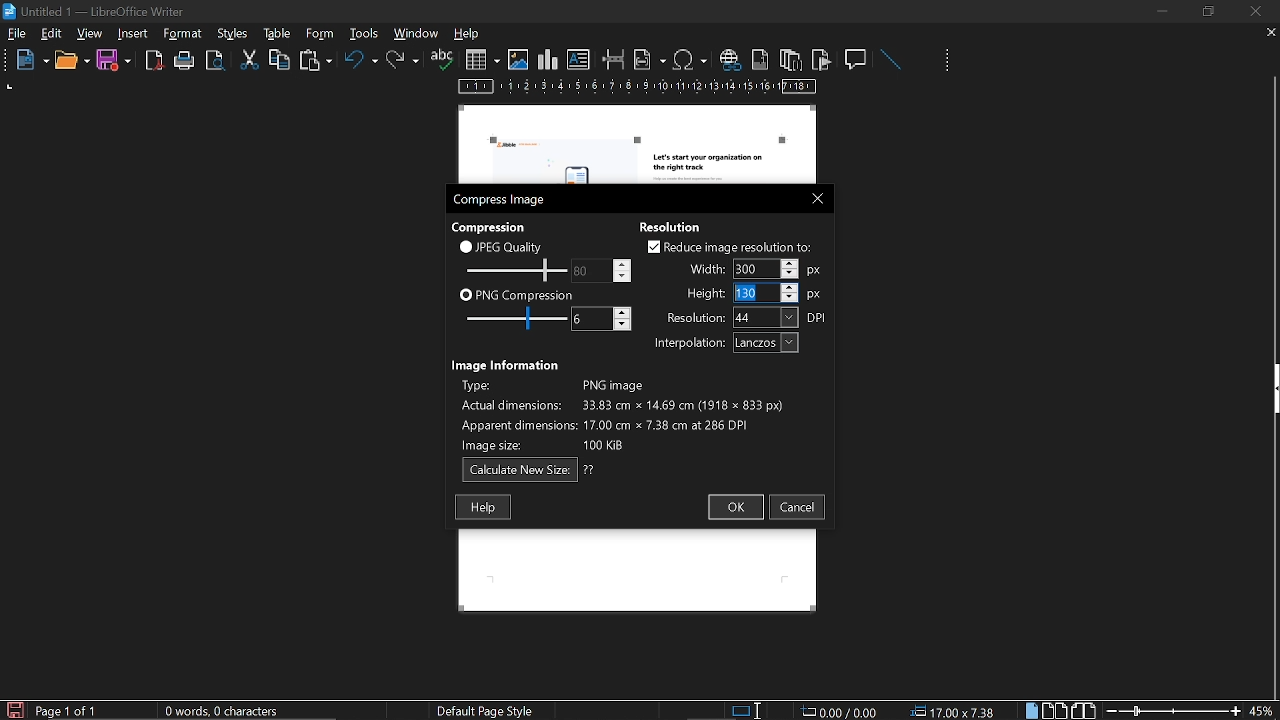 This screenshot has width=1280, height=720. Describe the element at coordinates (1271, 34) in the screenshot. I see `close tab` at that location.